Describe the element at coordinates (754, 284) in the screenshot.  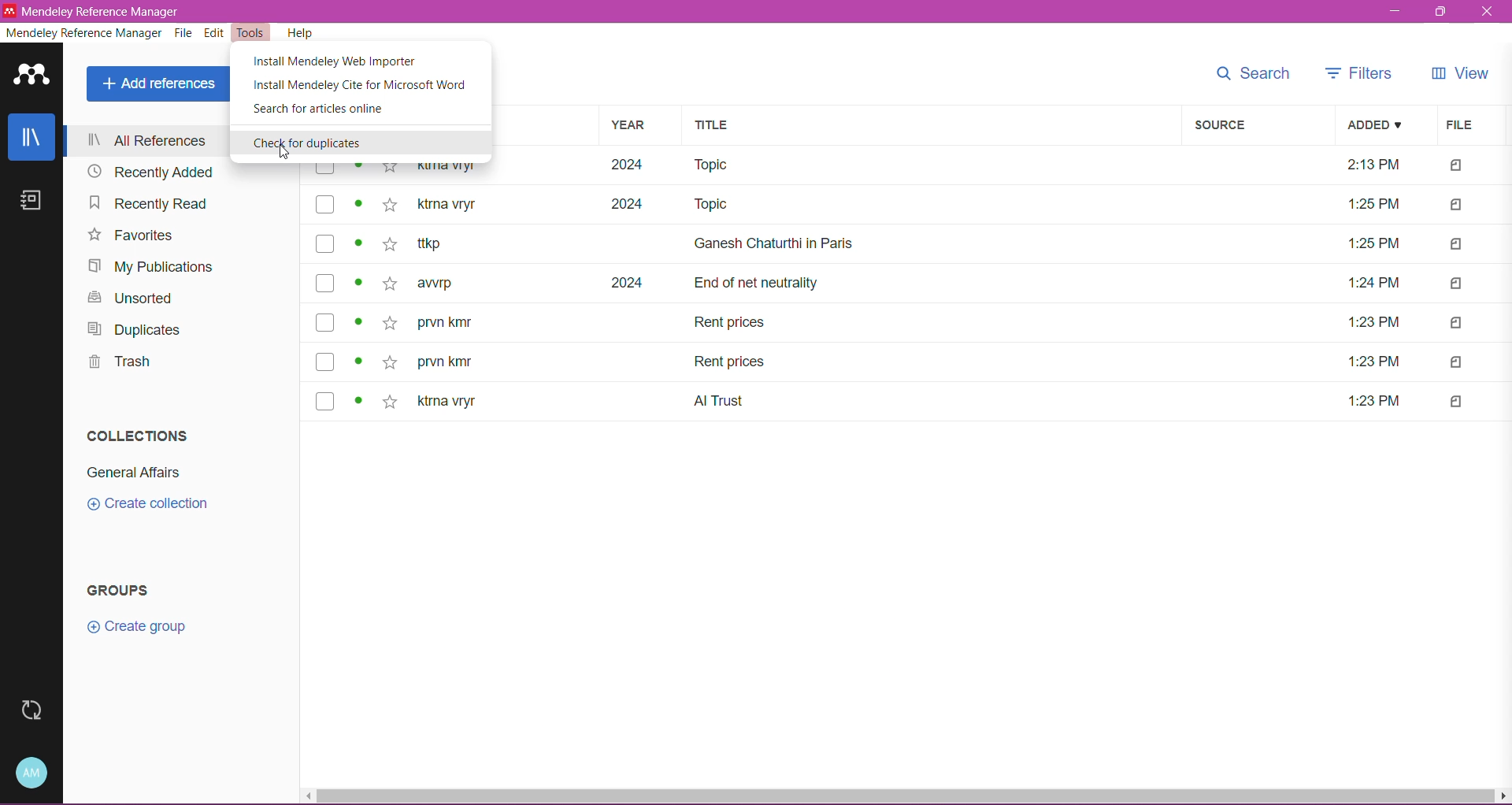
I see `Title` at that location.